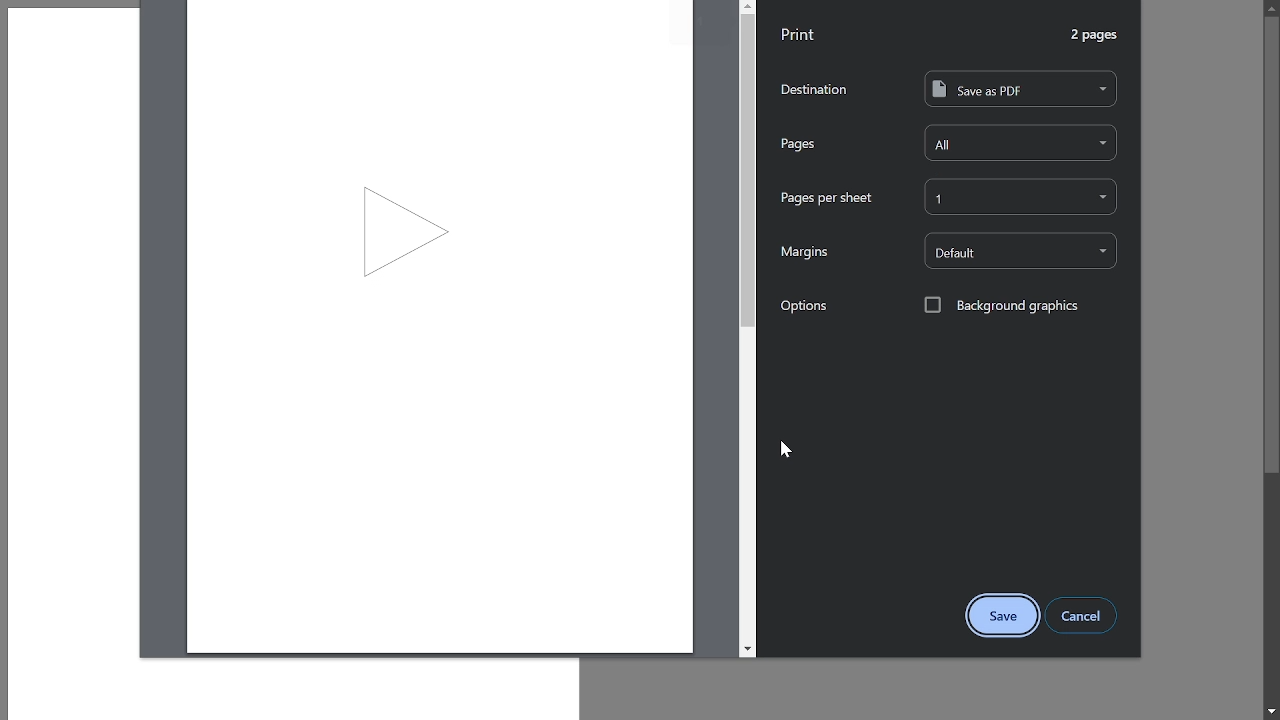 This screenshot has height=720, width=1280. Describe the element at coordinates (826, 198) in the screenshot. I see `Pages per sheet` at that location.